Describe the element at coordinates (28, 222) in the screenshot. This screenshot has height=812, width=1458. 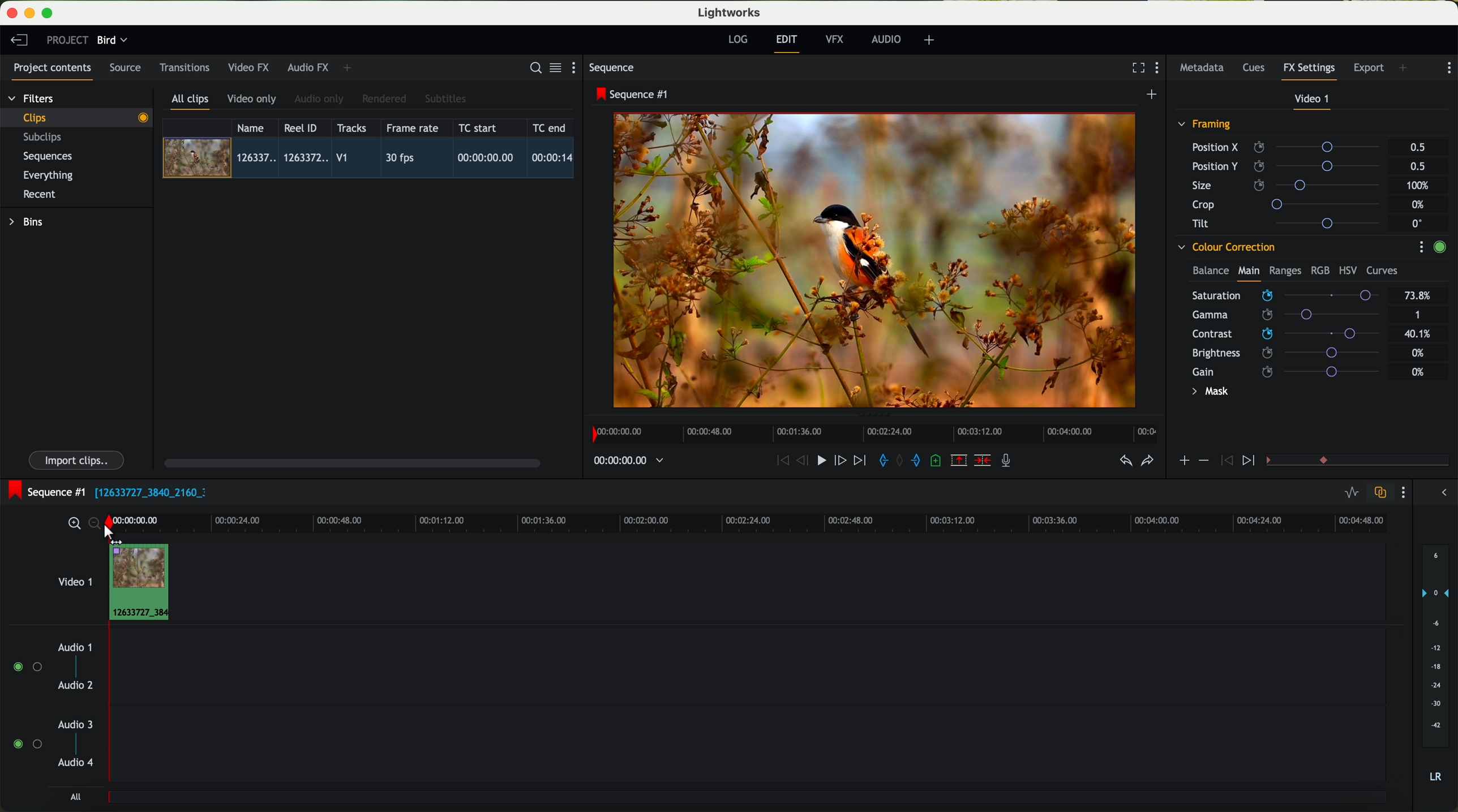
I see `bins` at that location.